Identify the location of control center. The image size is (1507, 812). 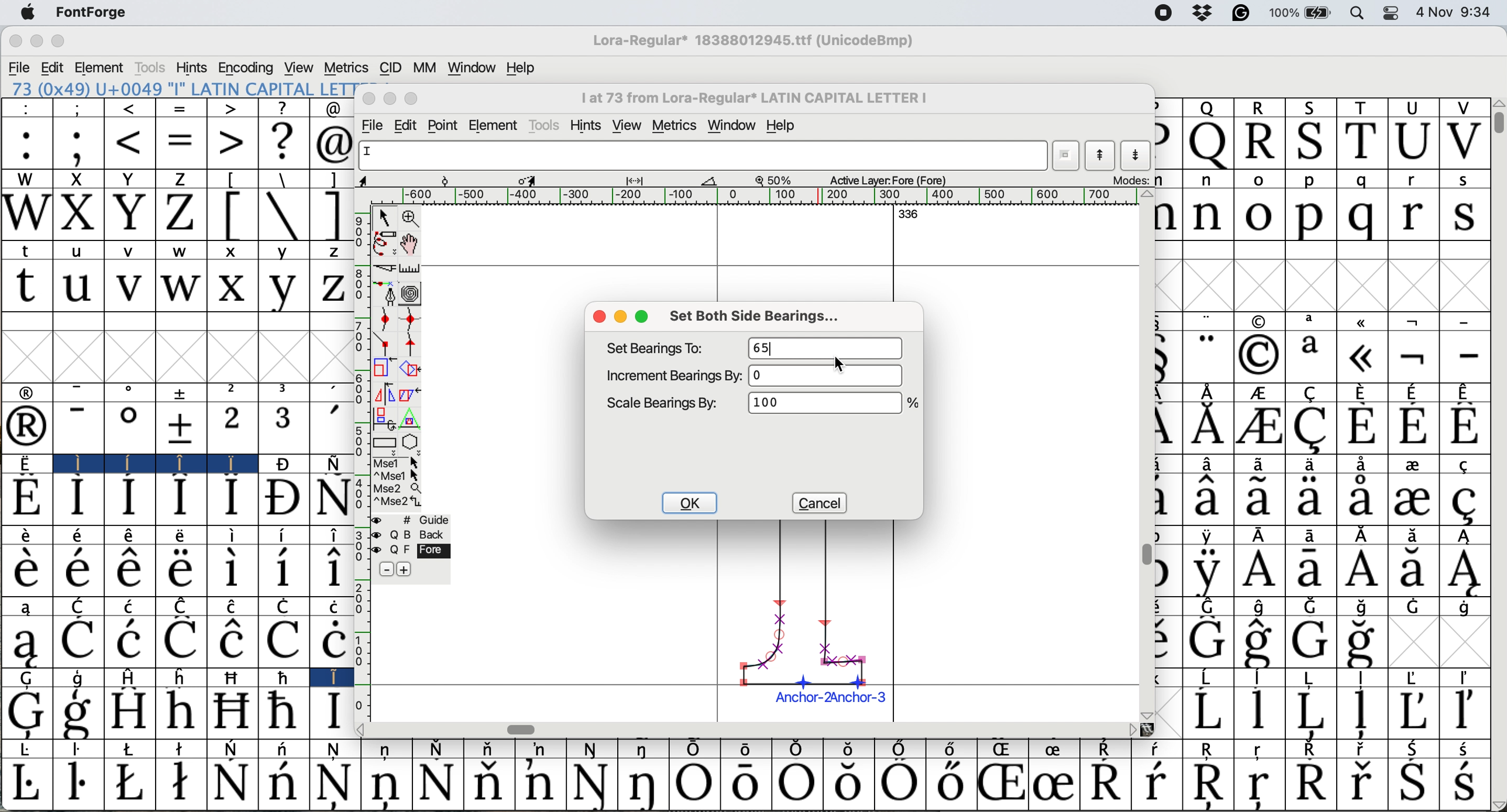
(1393, 14).